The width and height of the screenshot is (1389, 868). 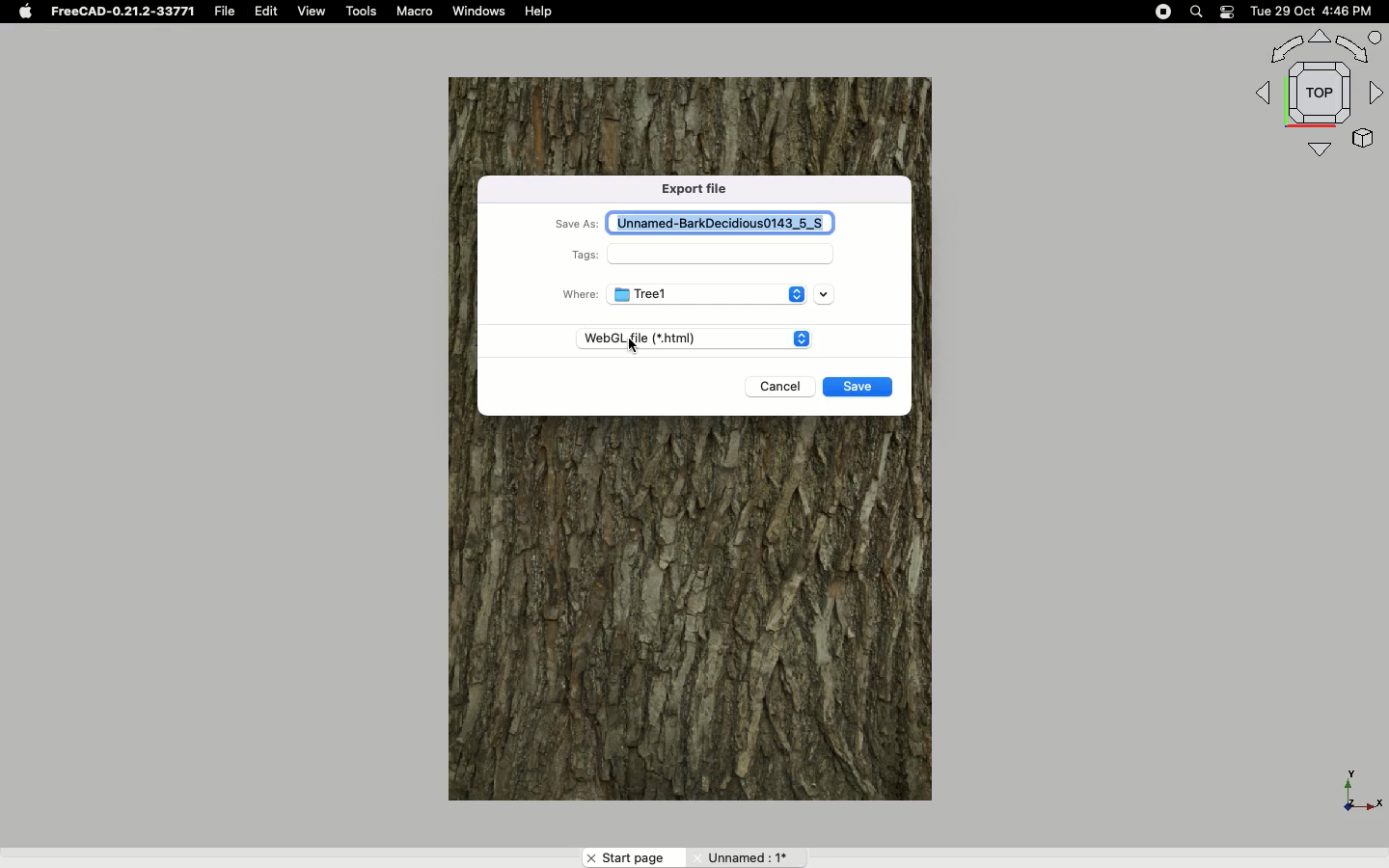 I want to click on Unnamed:1*, so click(x=755, y=856).